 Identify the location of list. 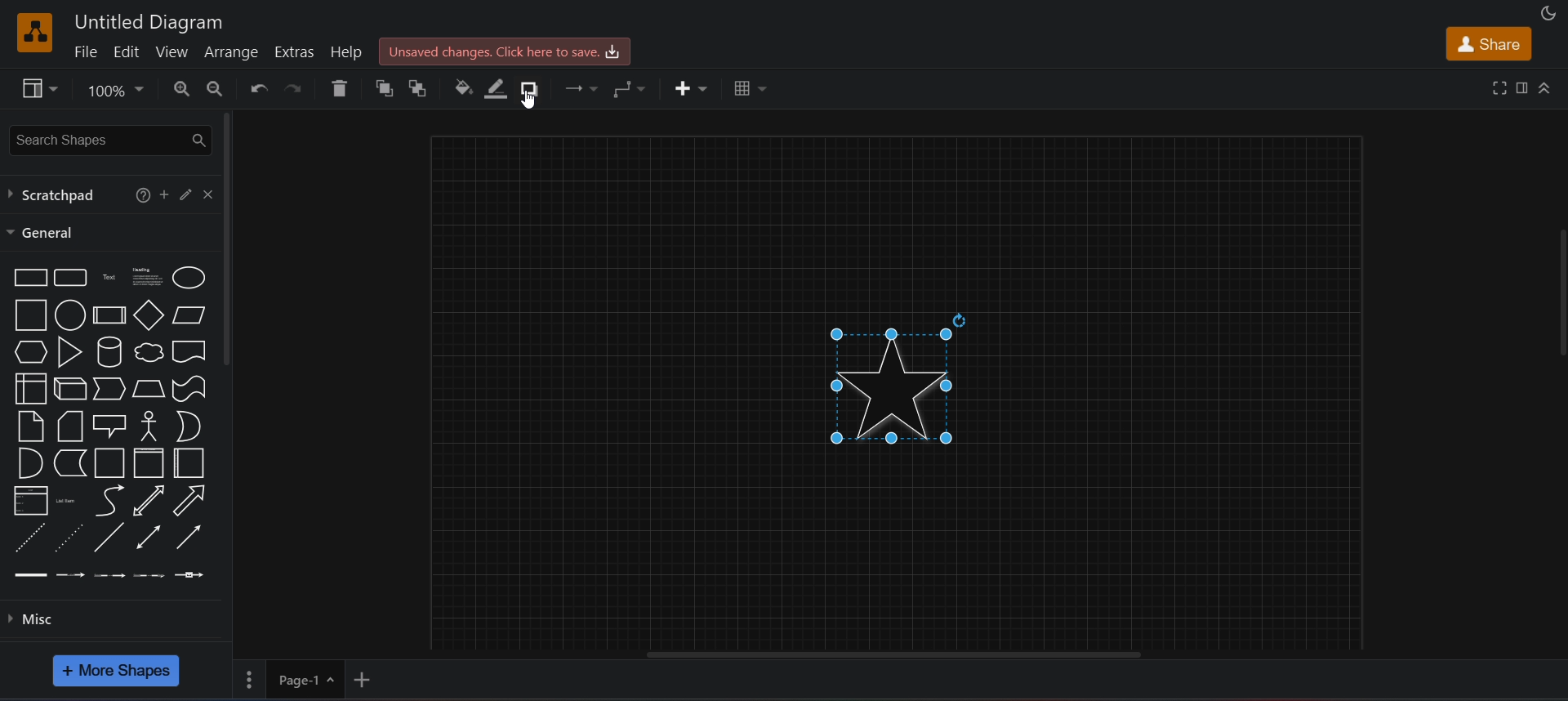
(27, 499).